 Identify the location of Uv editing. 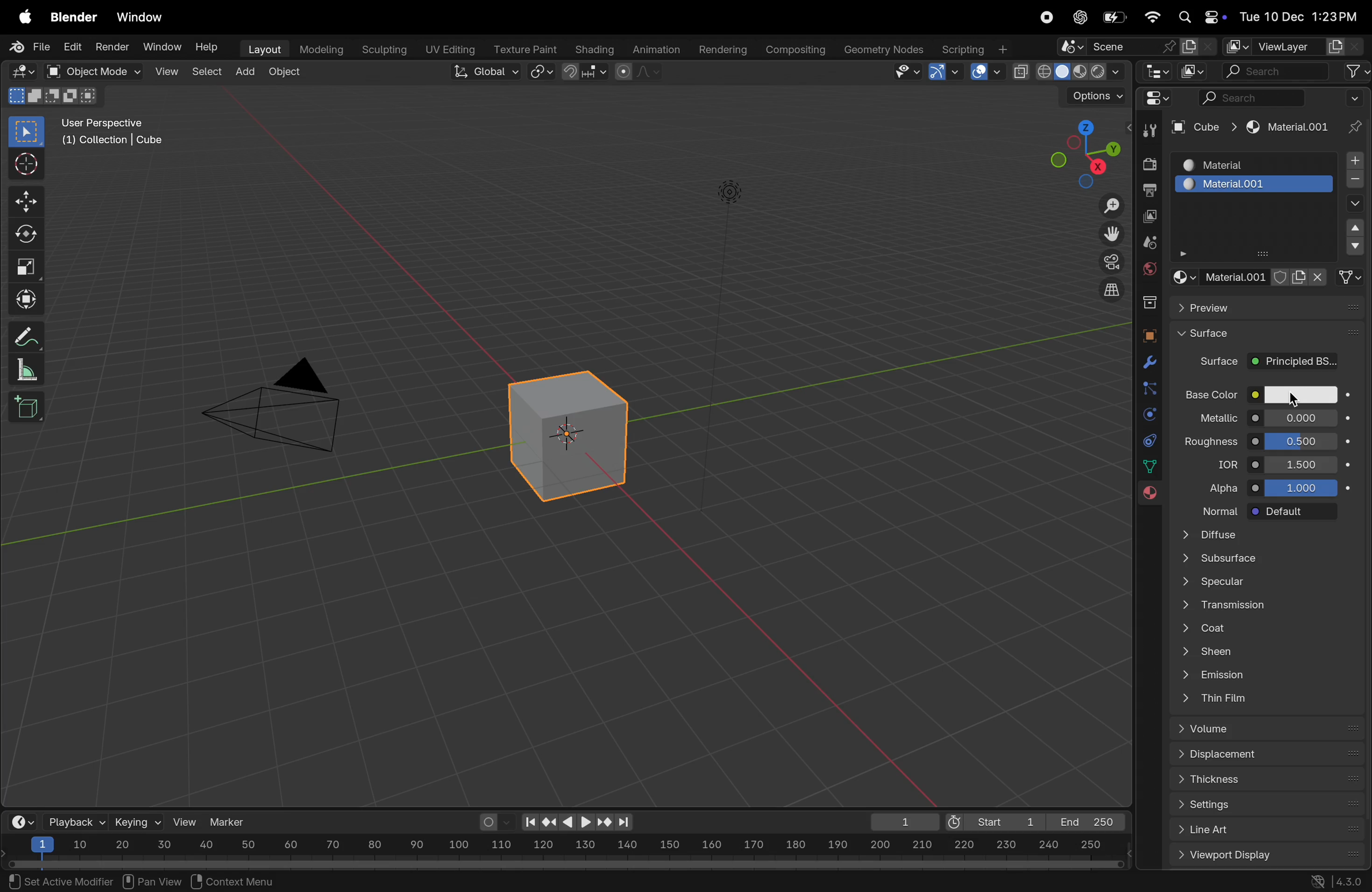
(446, 47).